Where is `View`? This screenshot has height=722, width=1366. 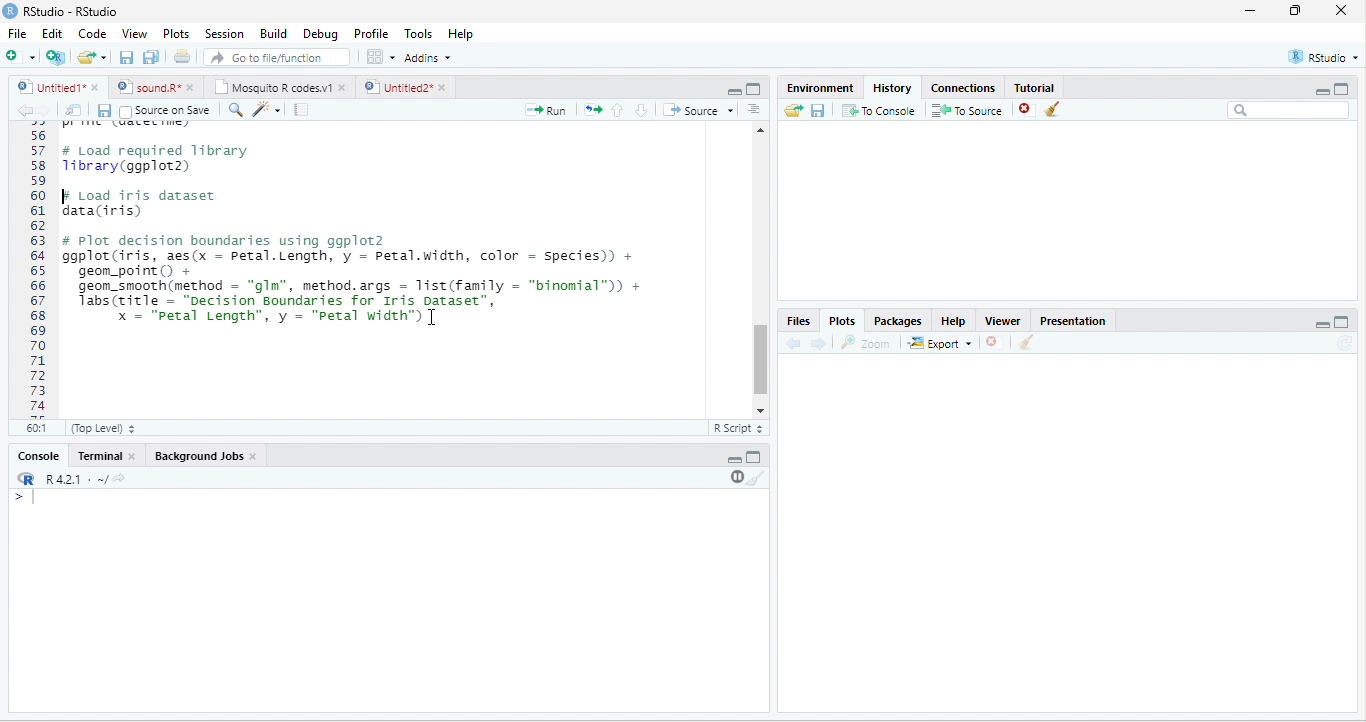 View is located at coordinates (134, 34).